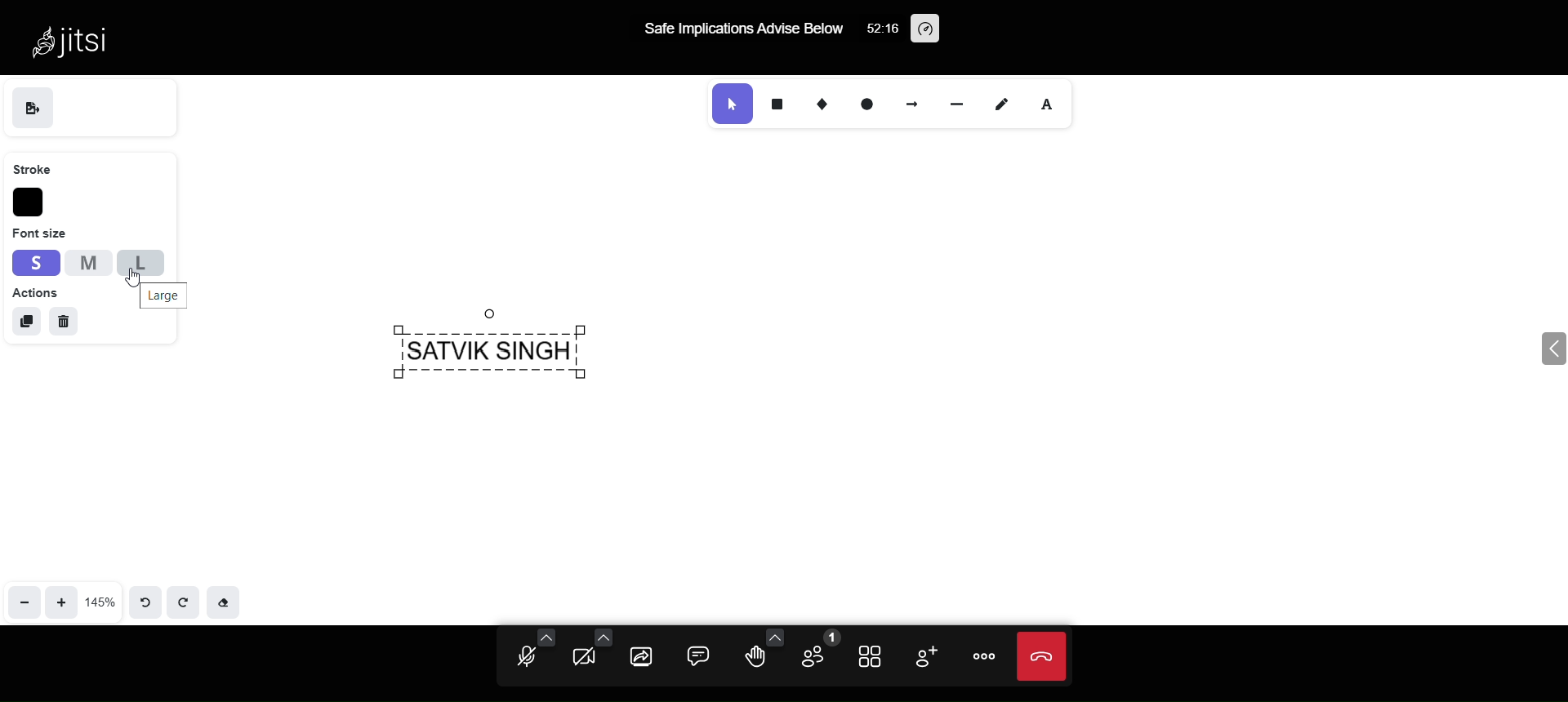  What do you see at coordinates (67, 322) in the screenshot?
I see `Delete` at bounding box center [67, 322].